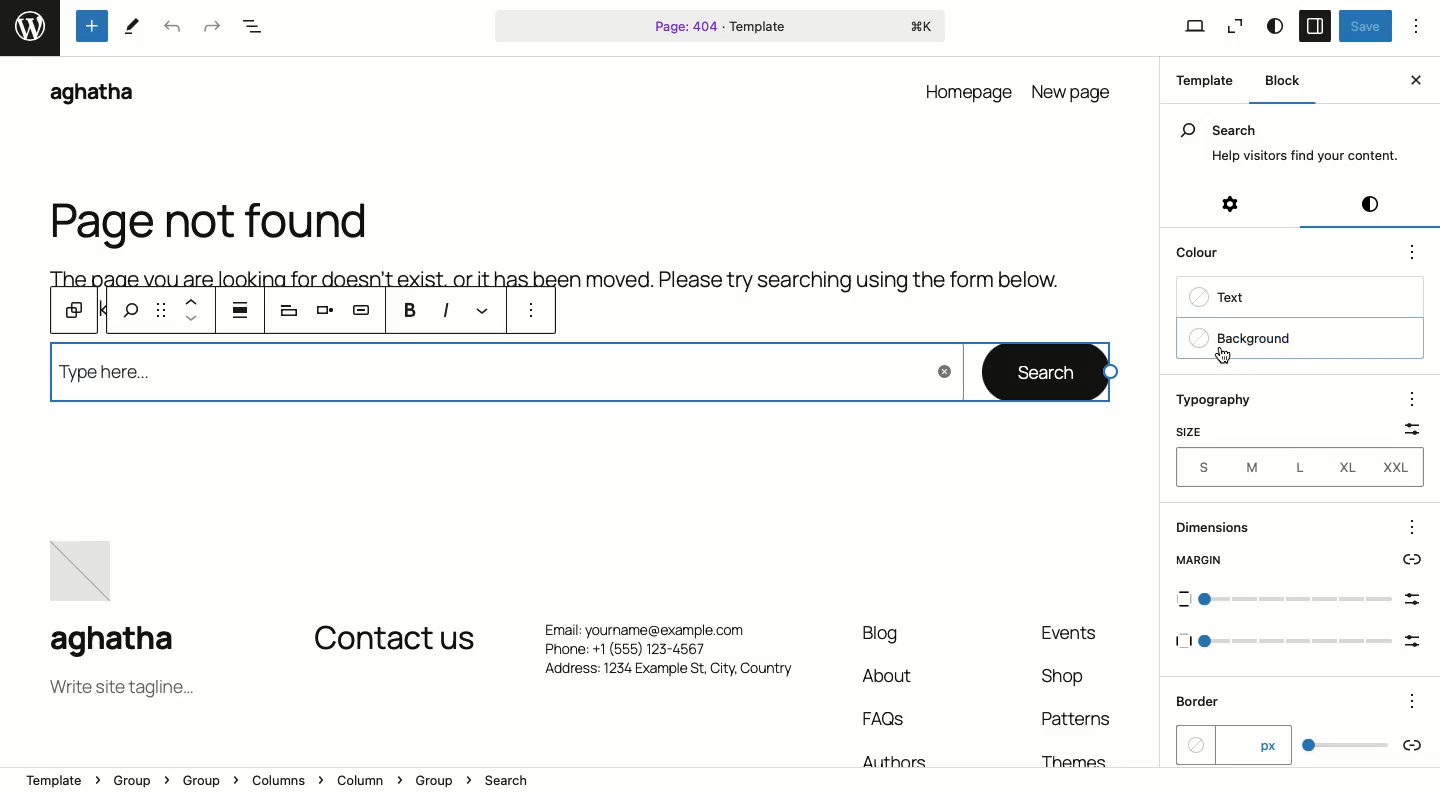 The width and height of the screenshot is (1440, 792). What do you see at coordinates (536, 312) in the screenshot?
I see `More` at bounding box center [536, 312].